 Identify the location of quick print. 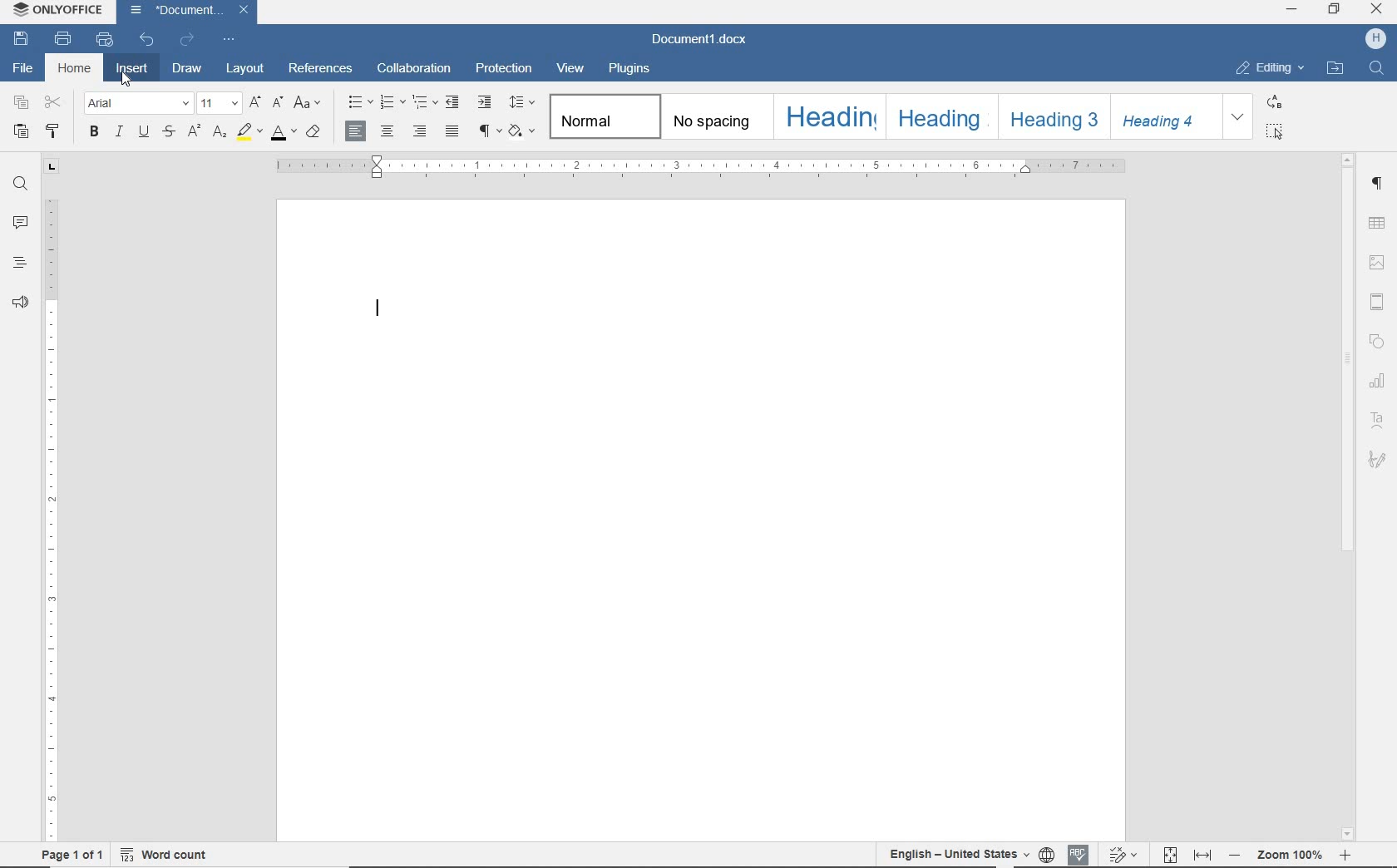
(104, 40).